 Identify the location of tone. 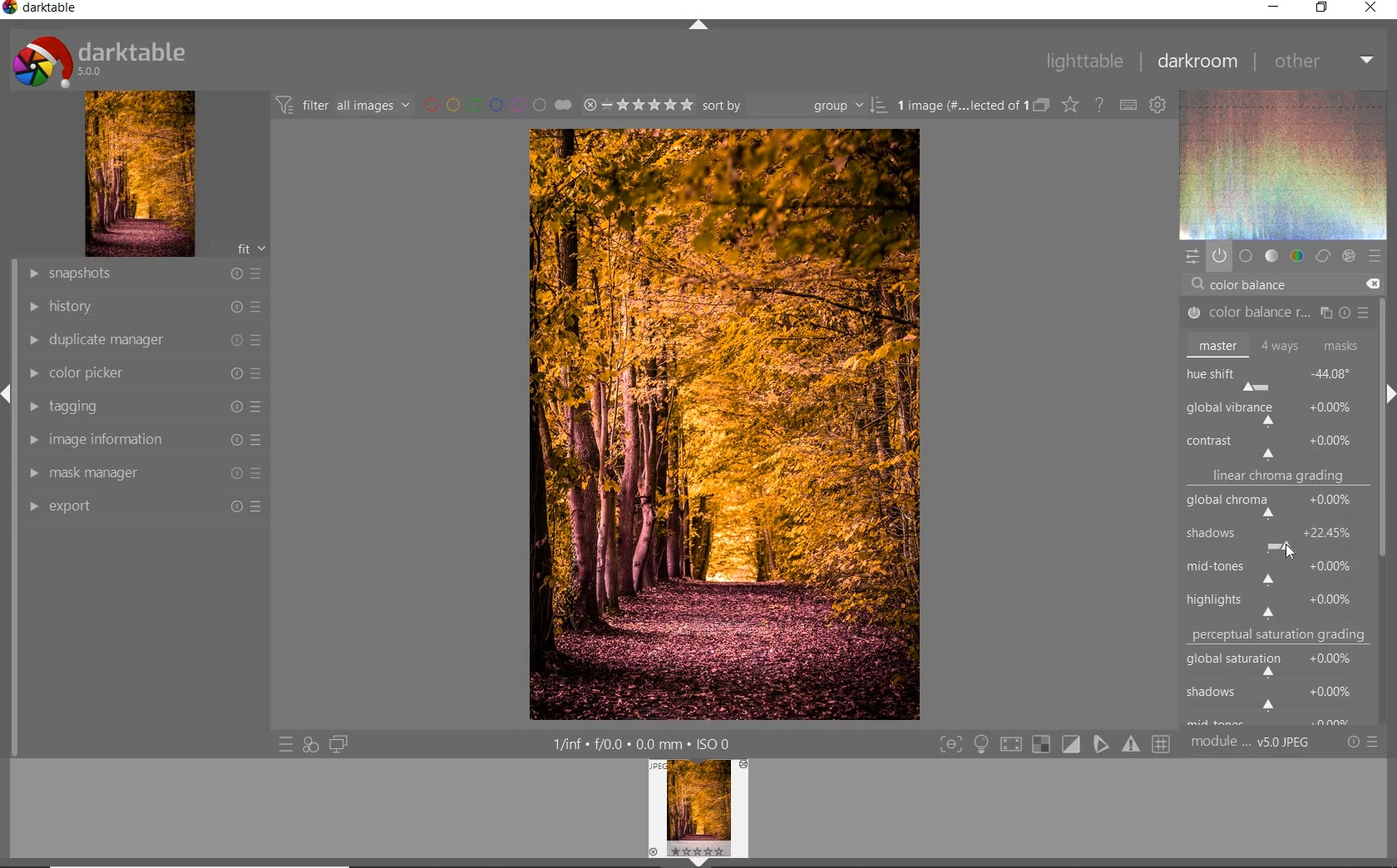
(1271, 257).